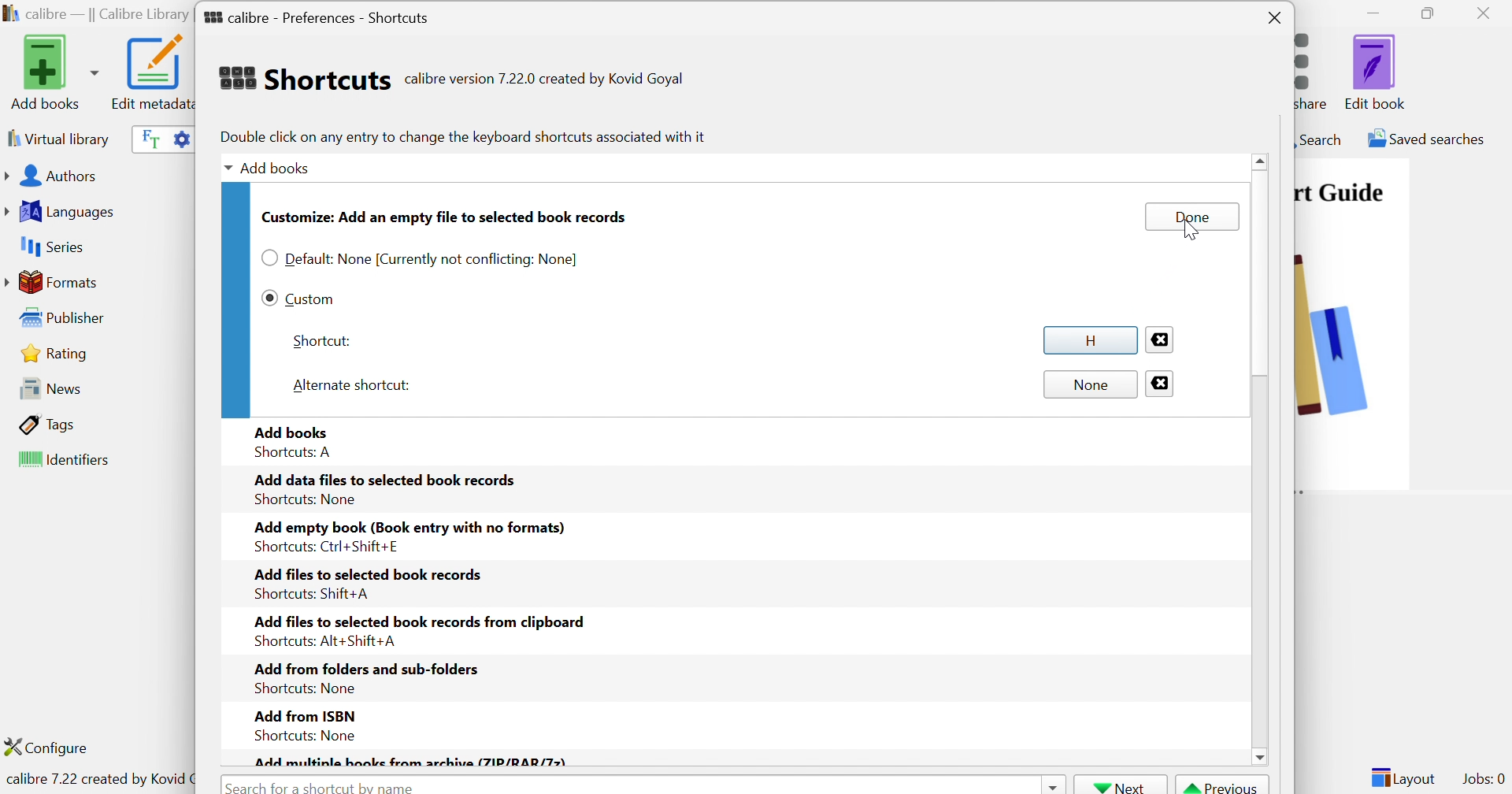 The width and height of the screenshot is (1512, 794). Describe the element at coordinates (48, 424) in the screenshot. I see `Tags` at that location.